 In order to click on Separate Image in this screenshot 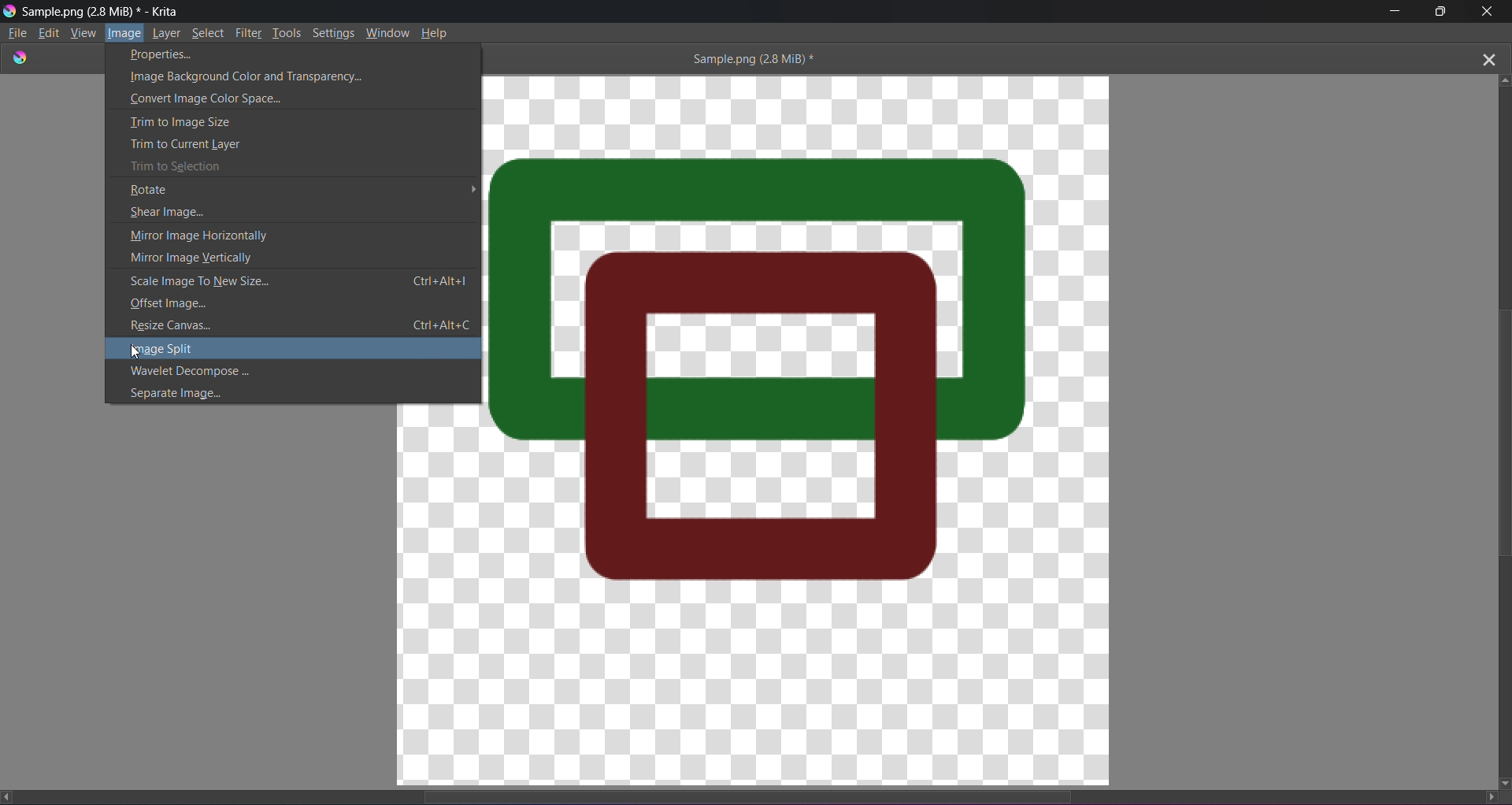, I will do `click(268, 391)`.